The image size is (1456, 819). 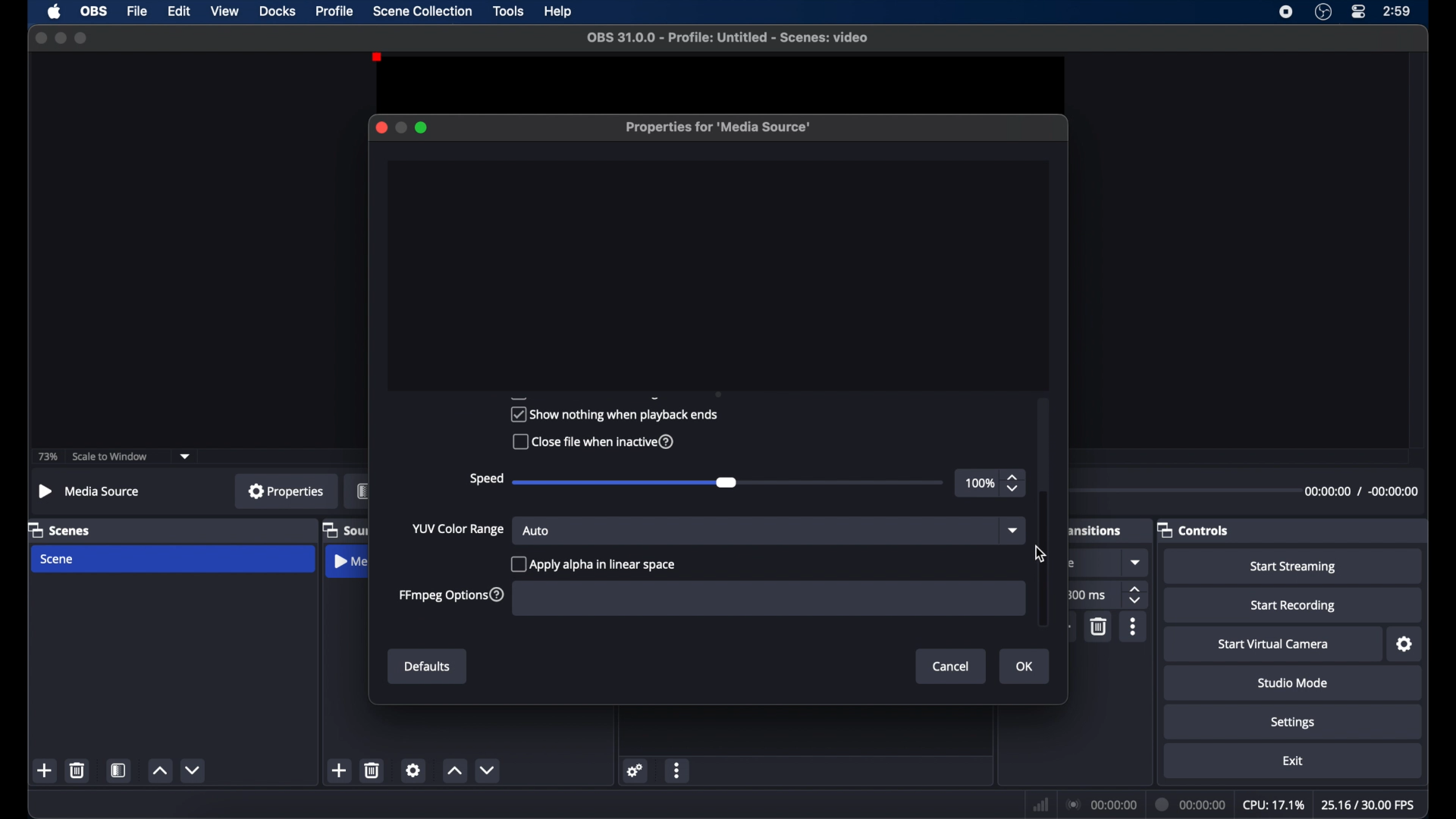 What do you see at coordinates (186, 457) in the screenshot?
I see `dropdown` at bounding box center [186, 457].